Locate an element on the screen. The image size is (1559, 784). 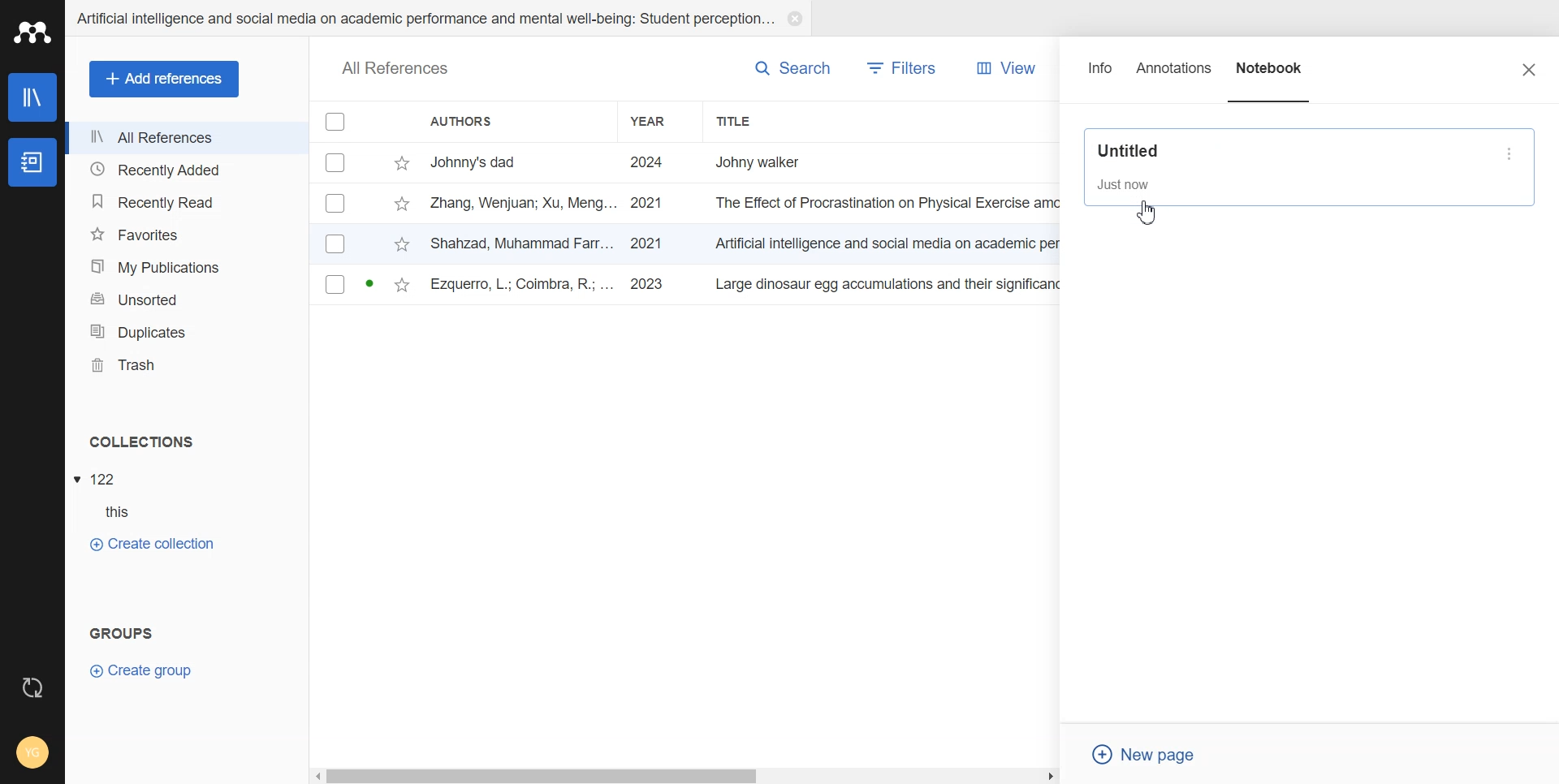
2023 is located at coordinates (650, 285).